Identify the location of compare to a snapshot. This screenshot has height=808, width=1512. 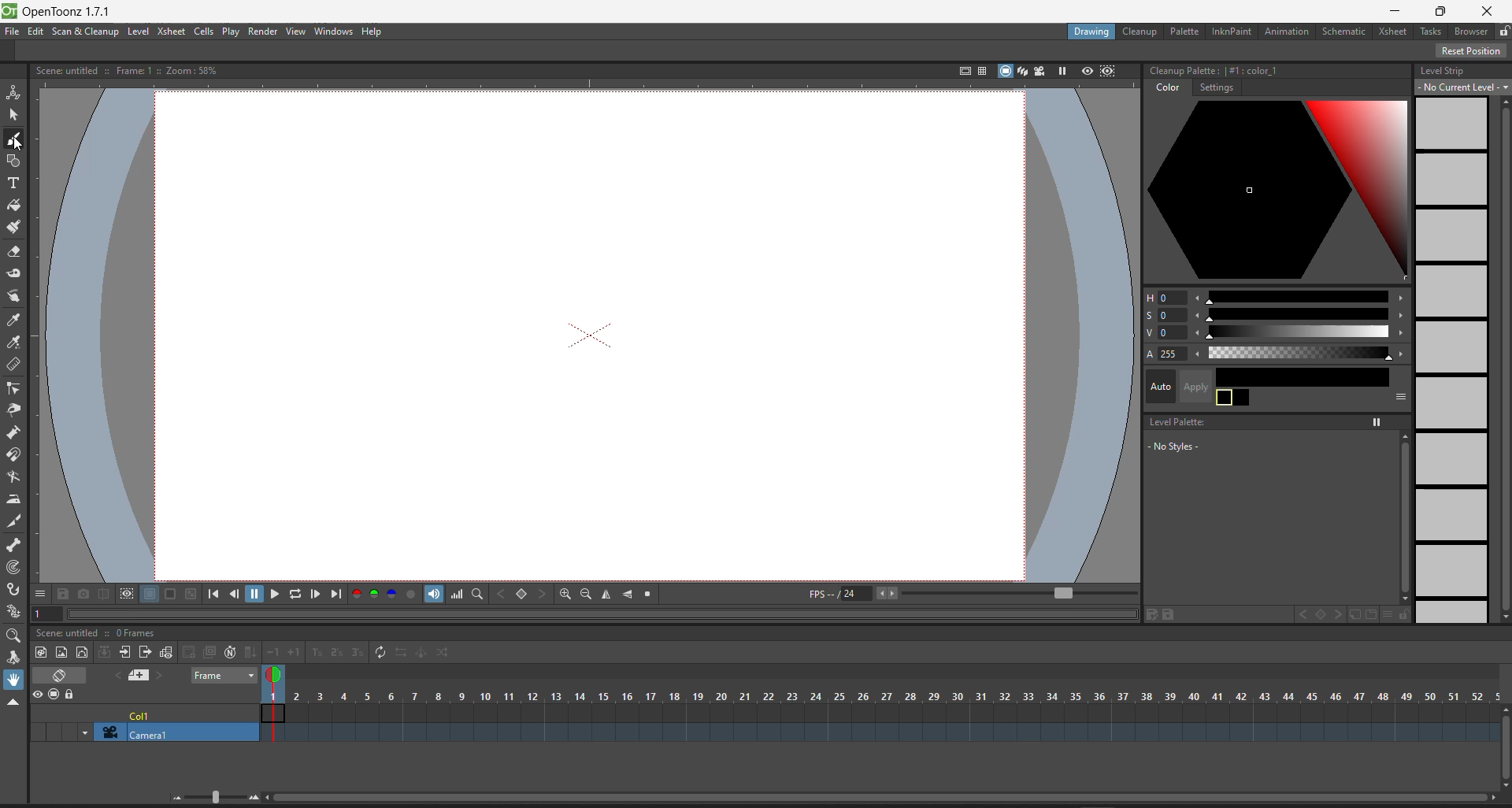
(104, 593).